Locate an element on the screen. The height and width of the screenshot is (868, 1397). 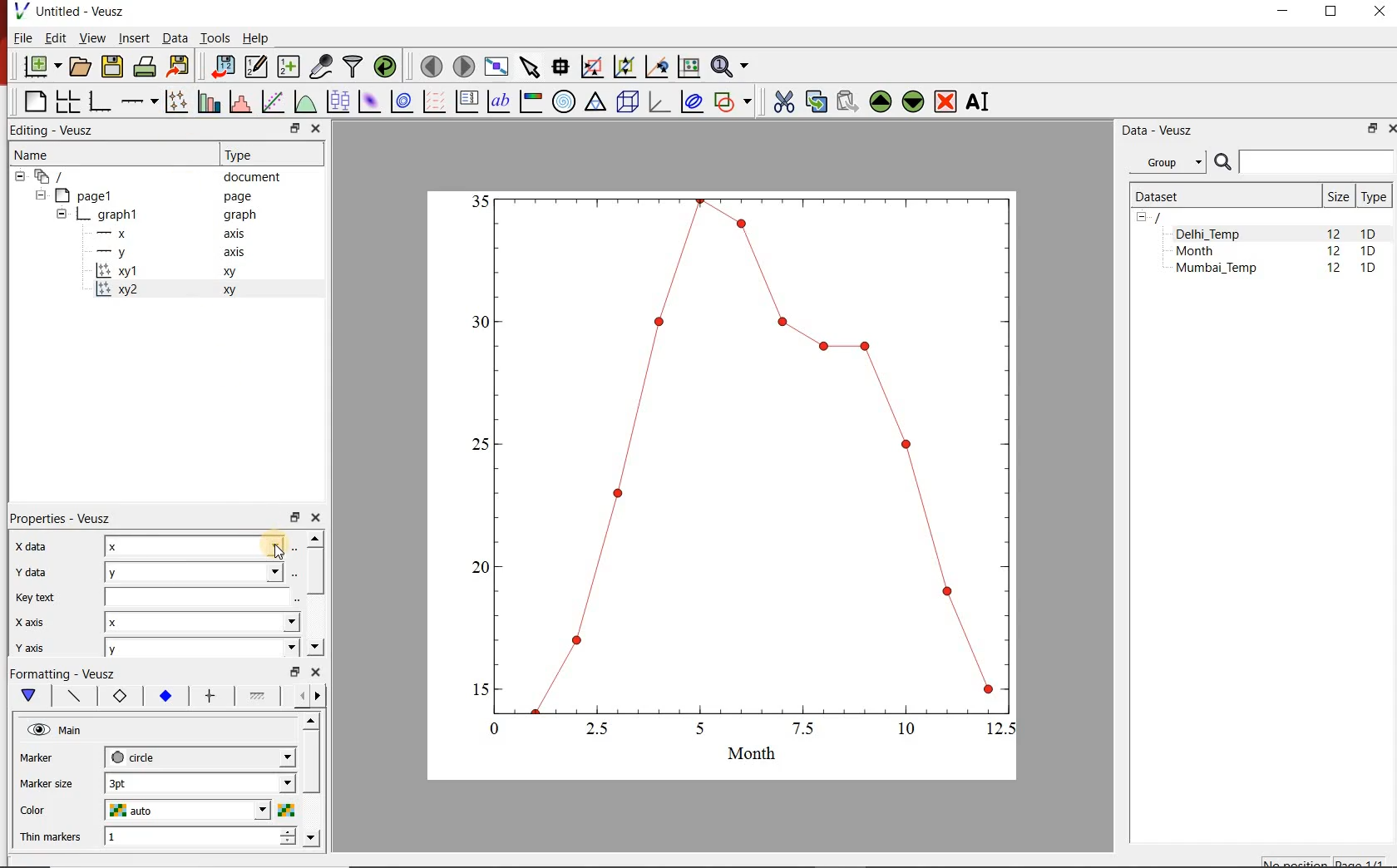
paste widget from the clipboard is located at coordinates (848, 101).